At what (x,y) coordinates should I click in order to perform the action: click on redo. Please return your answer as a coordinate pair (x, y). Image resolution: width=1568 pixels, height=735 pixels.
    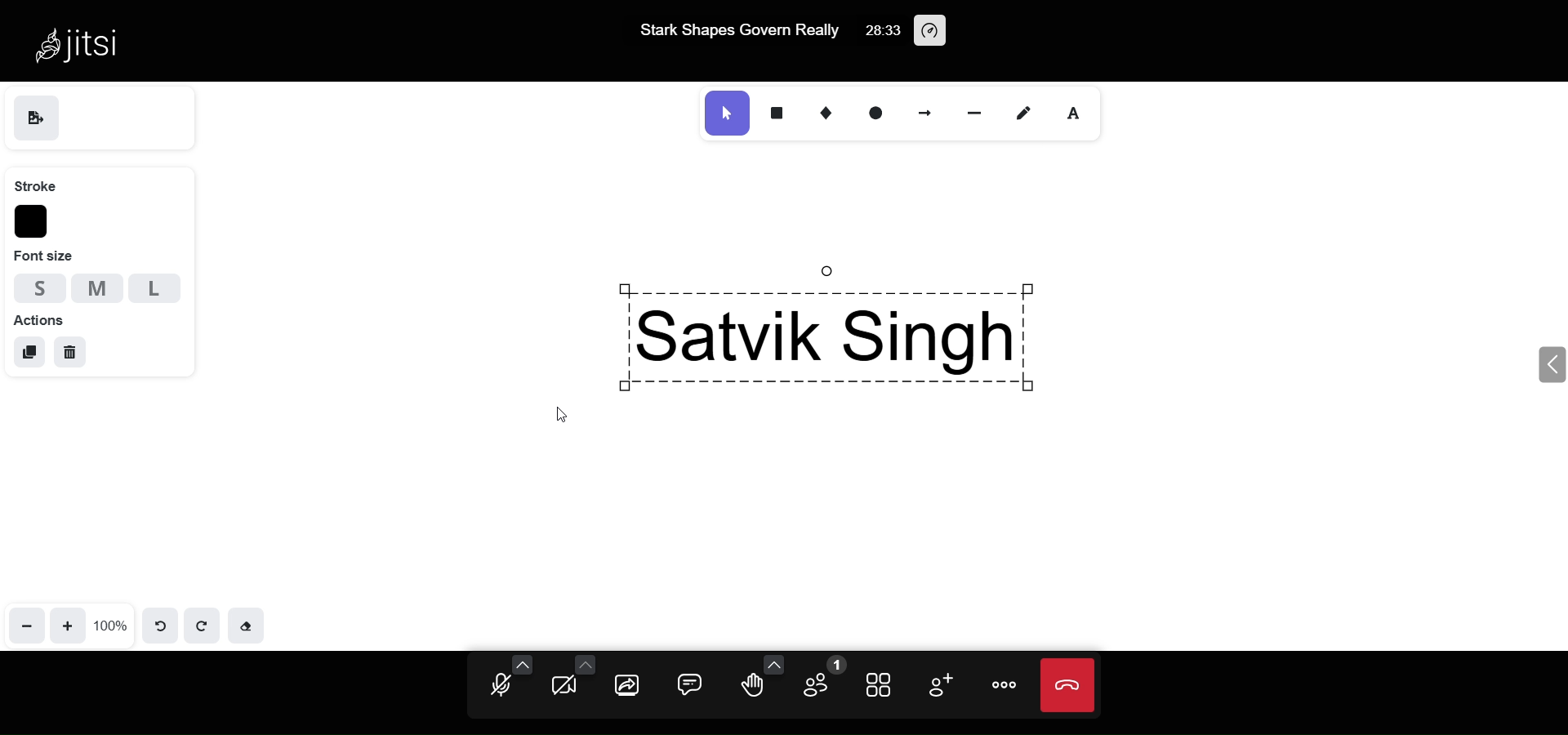
    Looking at the image, I should click on (199, 624).